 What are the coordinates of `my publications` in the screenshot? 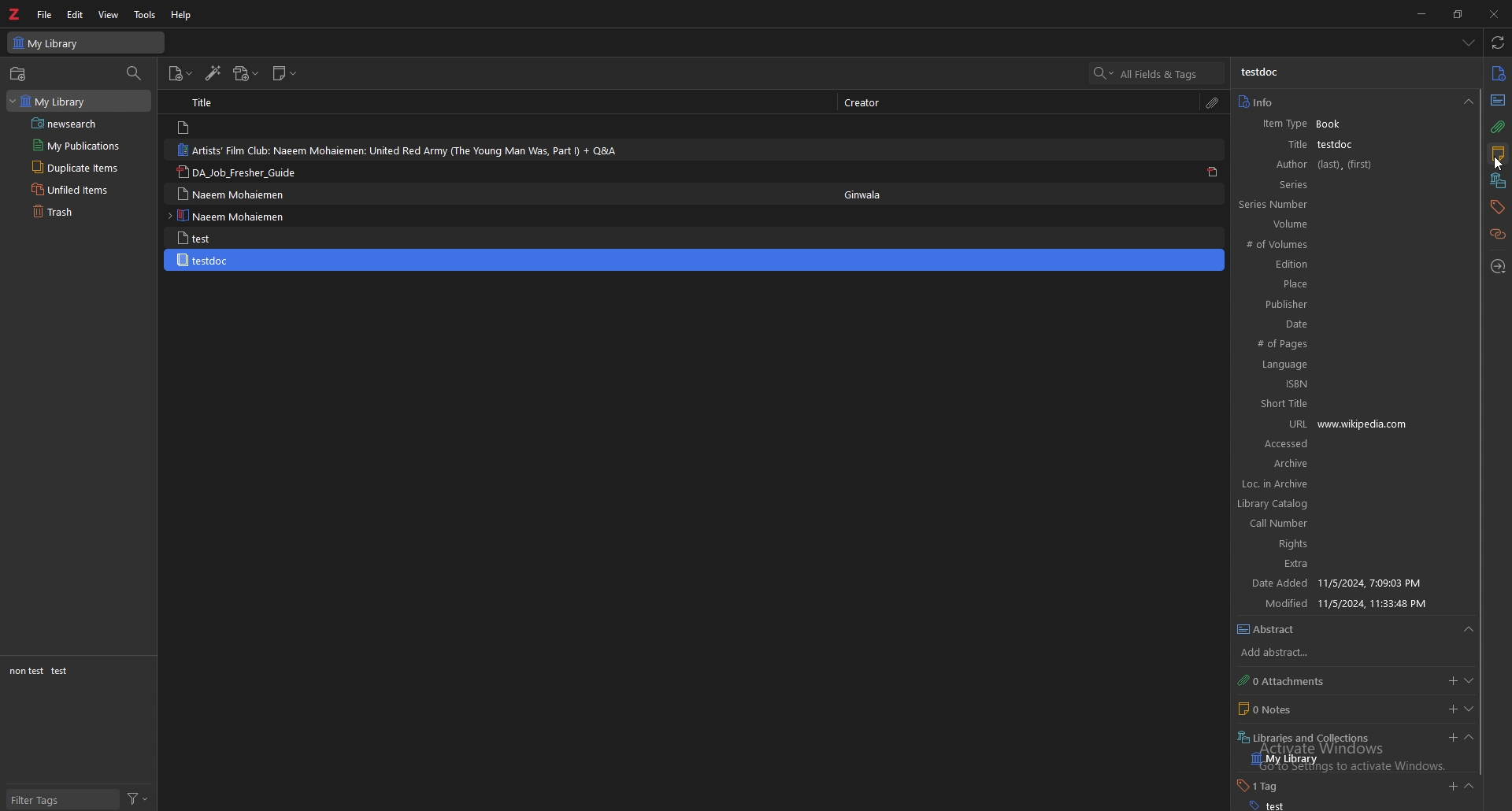 It's located at (83, 145).